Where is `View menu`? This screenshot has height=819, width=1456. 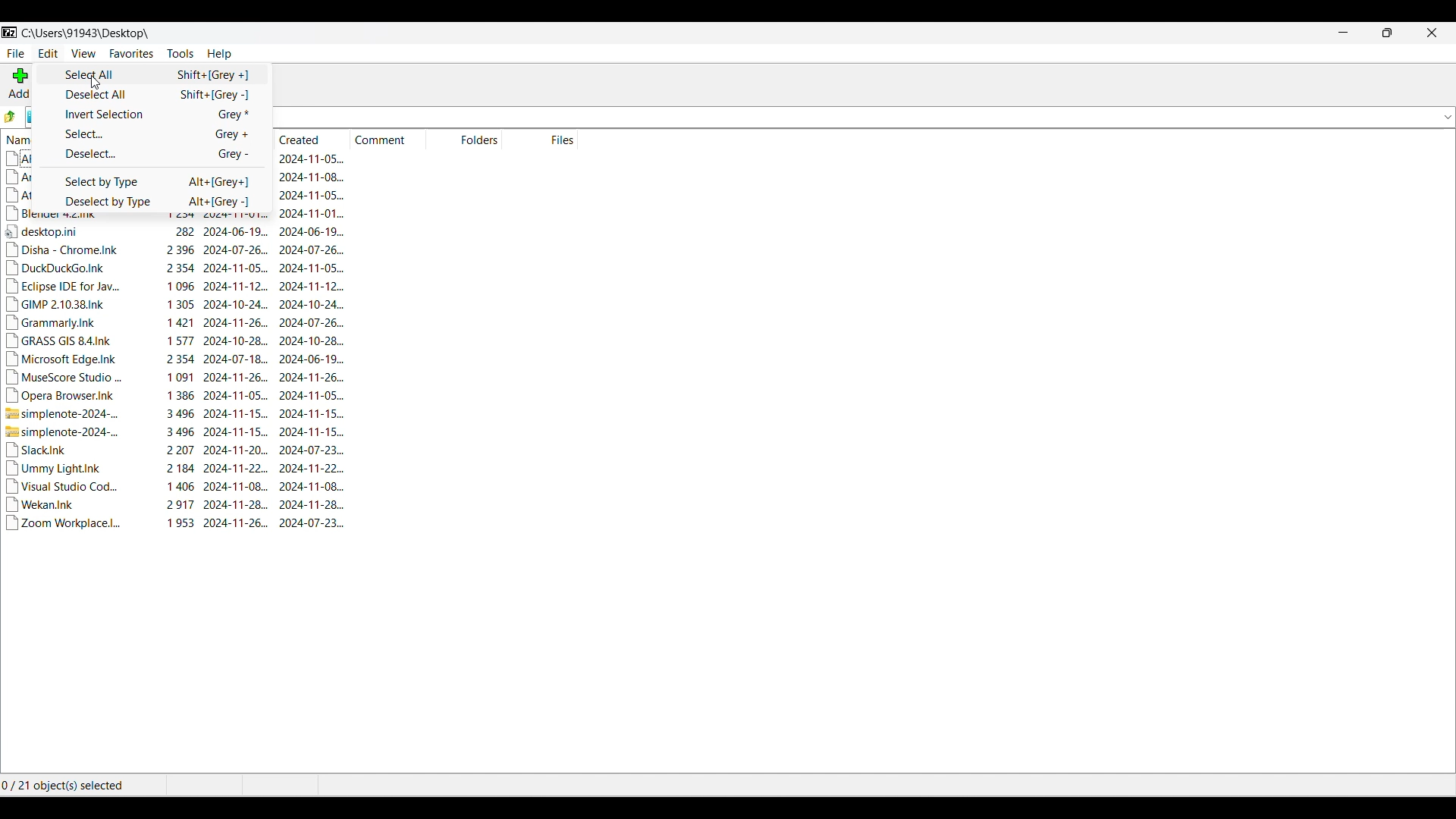
View menu is located at coordinates (83, 54).